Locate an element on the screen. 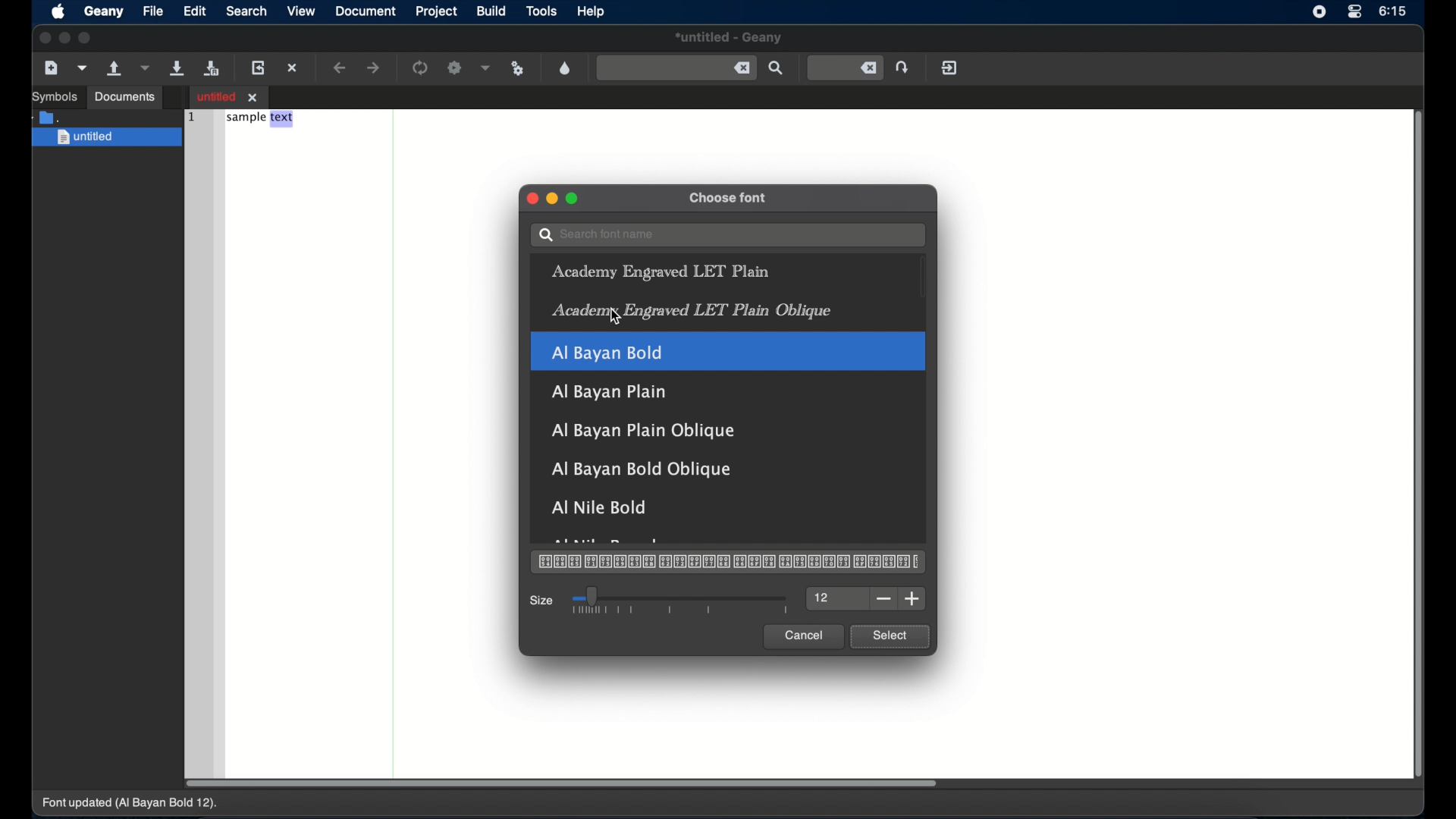 The image size is (1456, 819). minimize  is located at coordinates (553, 199).